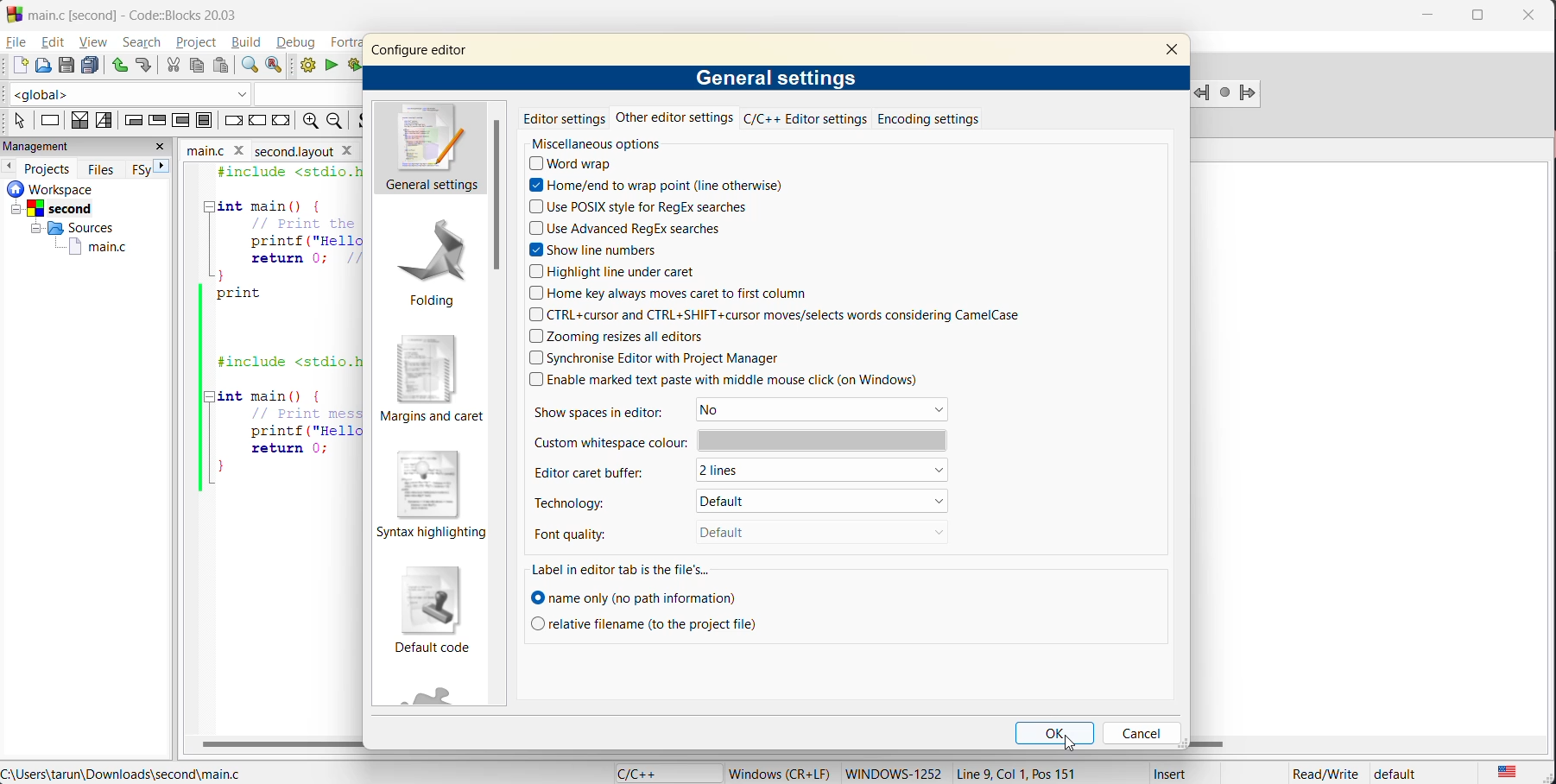 This screenshot has height=784, width=1556. I want to click on margins and caret, so click(433, 379).